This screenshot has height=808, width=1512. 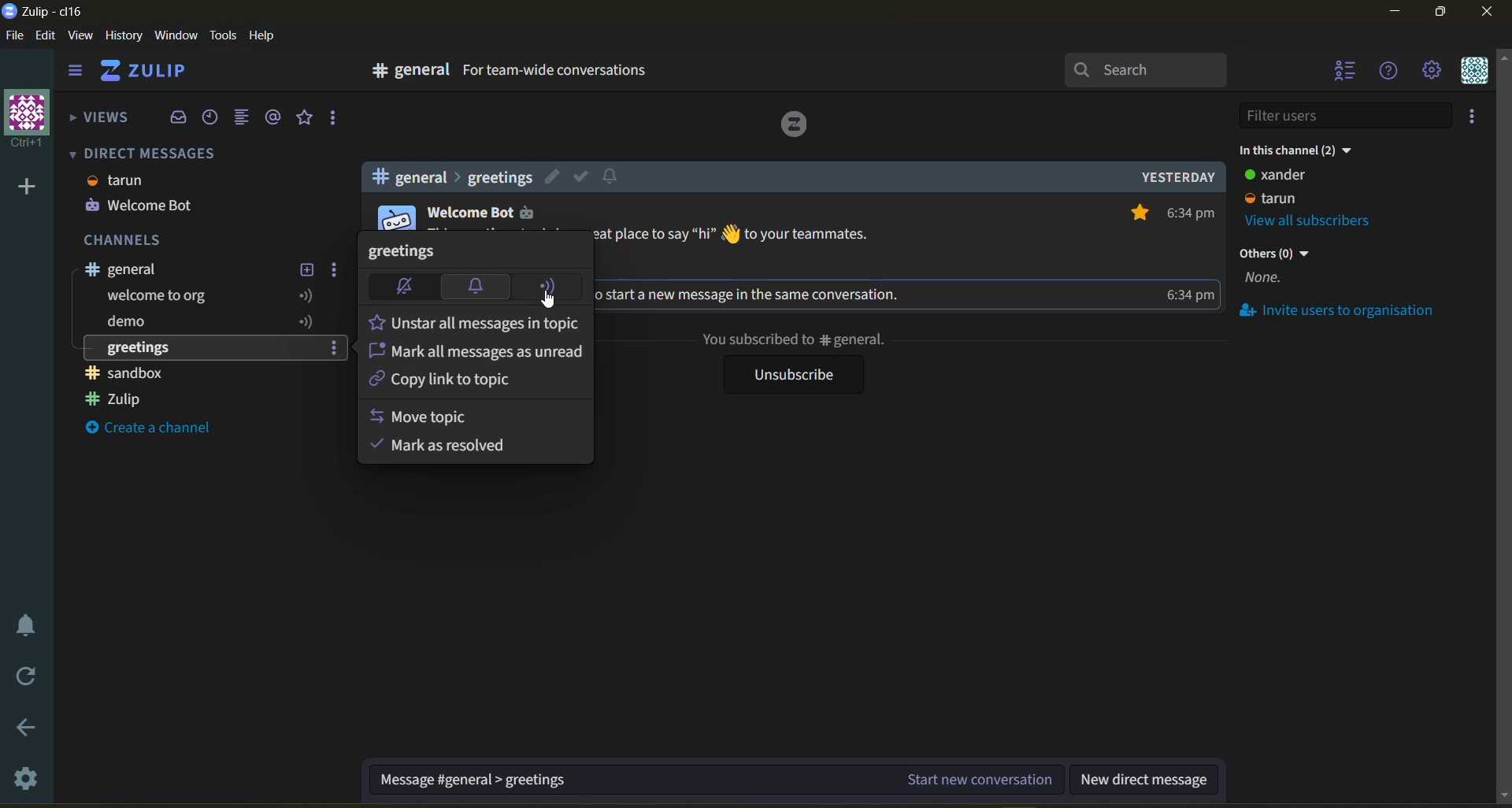 I want to click on settings, so click(x=334, y=350).